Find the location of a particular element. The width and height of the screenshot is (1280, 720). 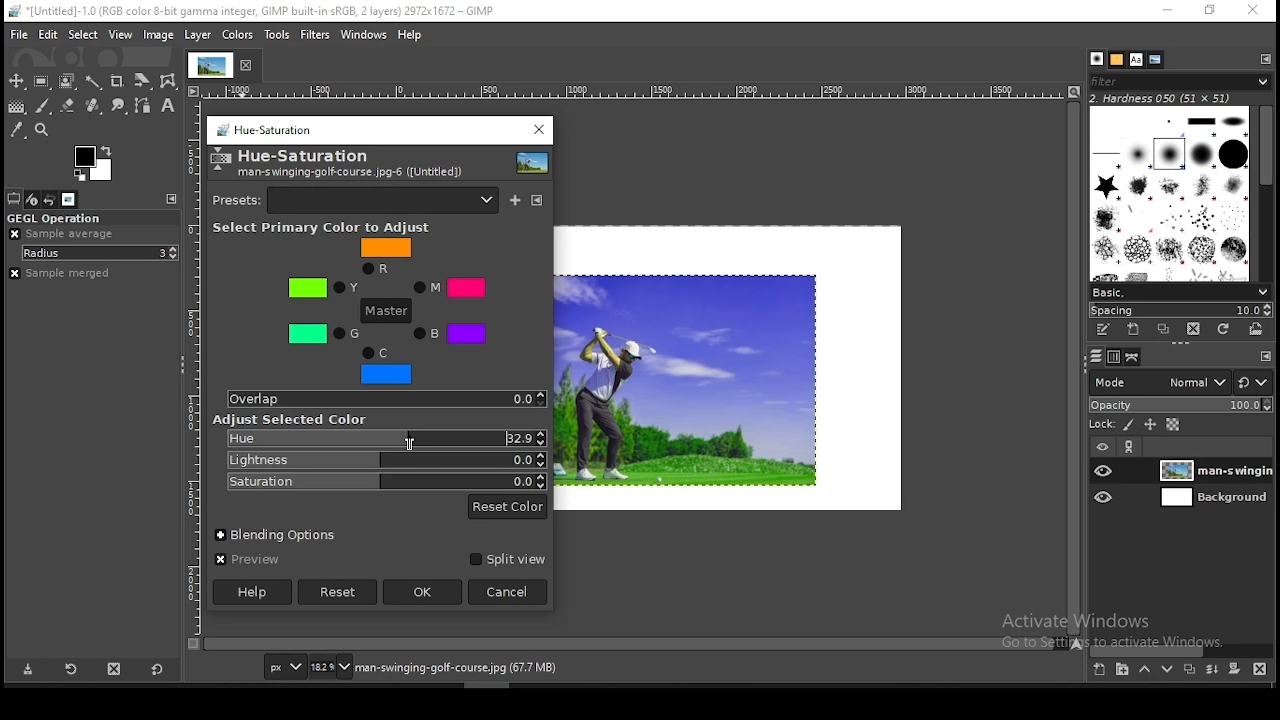

opacity is located at coordinates (1184, 405).